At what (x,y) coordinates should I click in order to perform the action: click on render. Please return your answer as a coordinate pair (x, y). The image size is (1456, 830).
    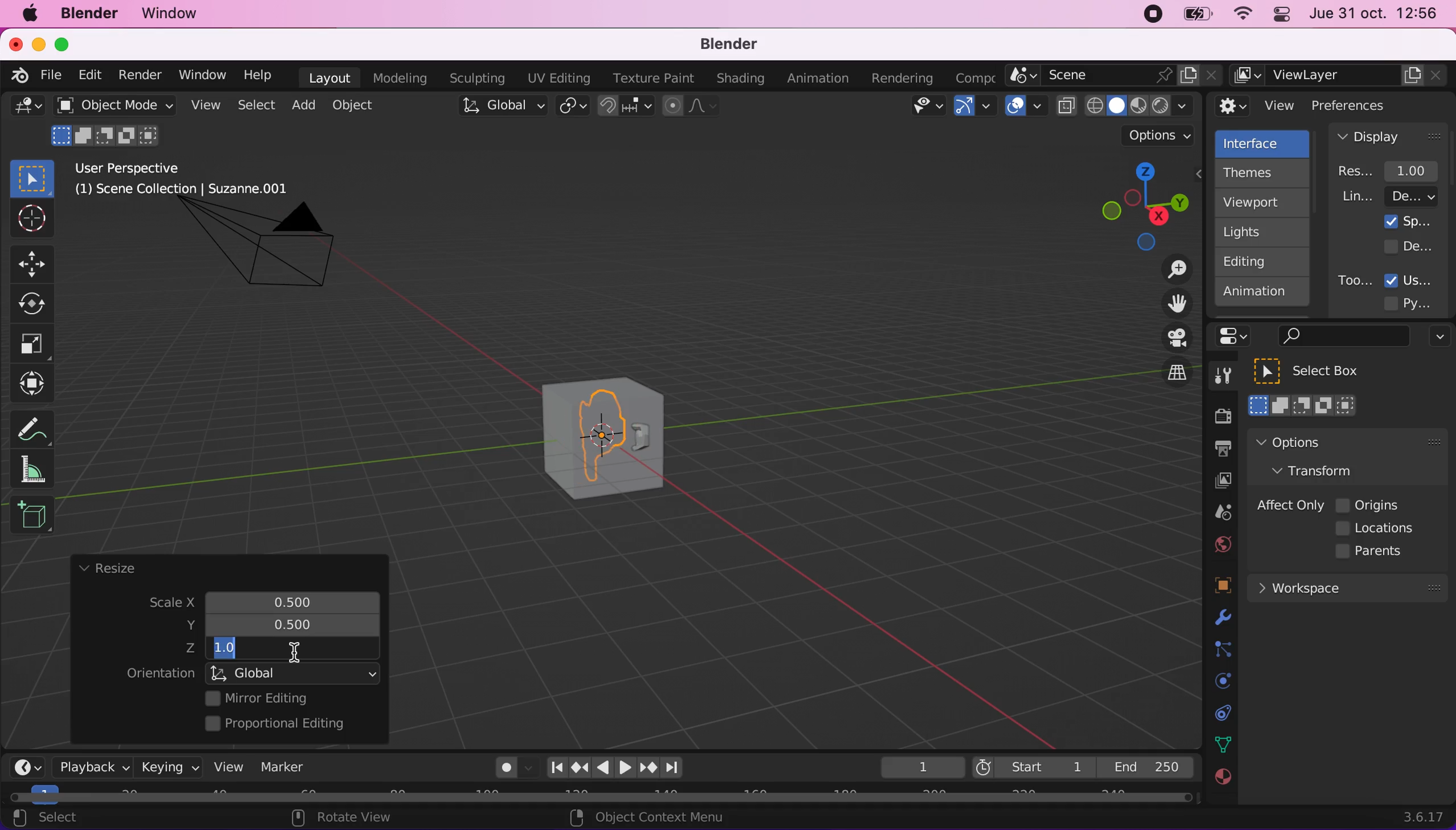
    Looking at the image, I should click on (139, 76).